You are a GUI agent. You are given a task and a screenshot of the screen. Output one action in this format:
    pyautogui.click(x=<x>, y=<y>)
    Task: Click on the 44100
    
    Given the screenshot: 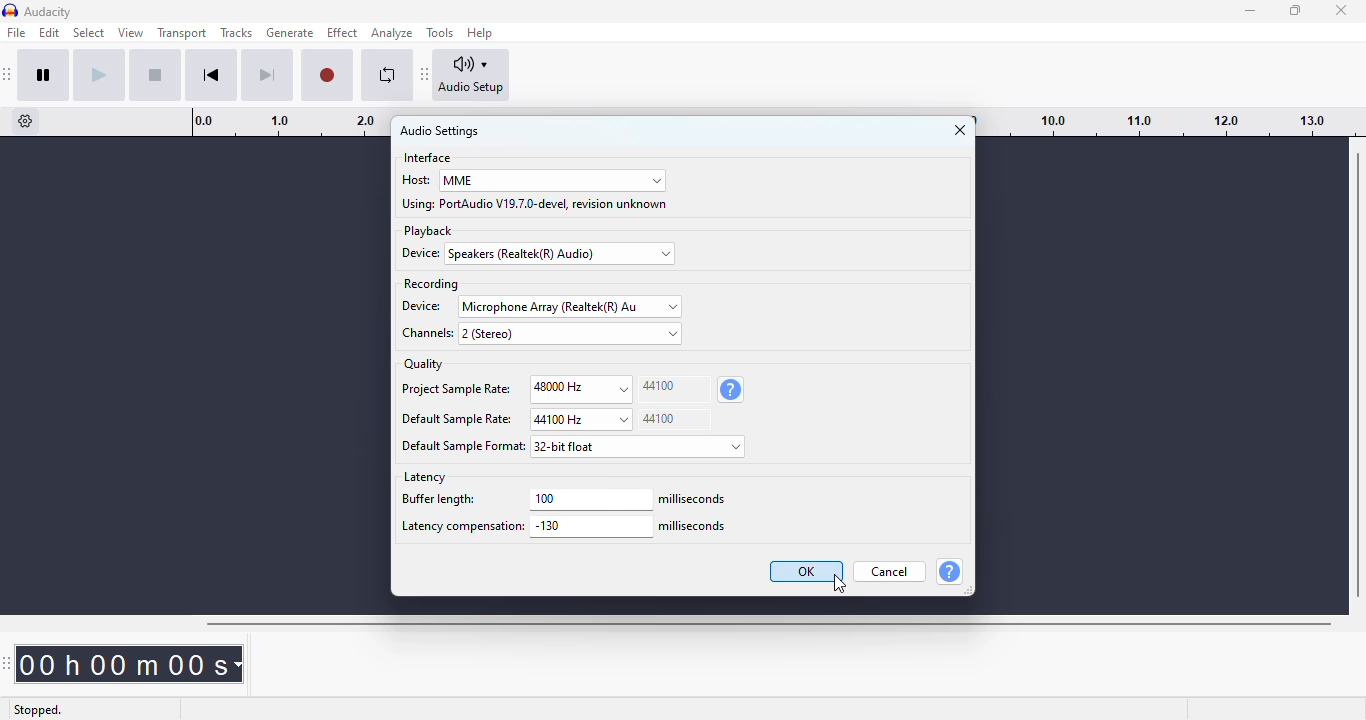 What is the action you would take?
    pyautogui.click(x=674, y=419)
    